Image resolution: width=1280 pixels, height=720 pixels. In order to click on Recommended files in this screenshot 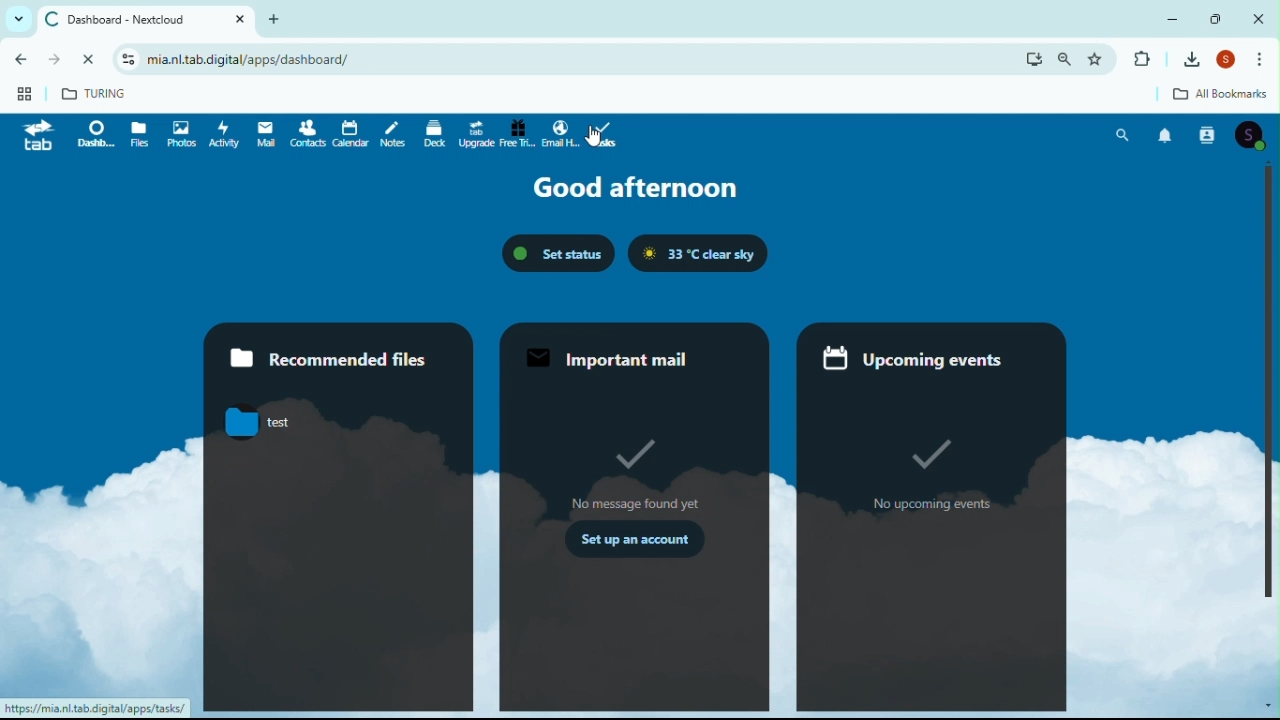, I will do `click(339, 353)`.